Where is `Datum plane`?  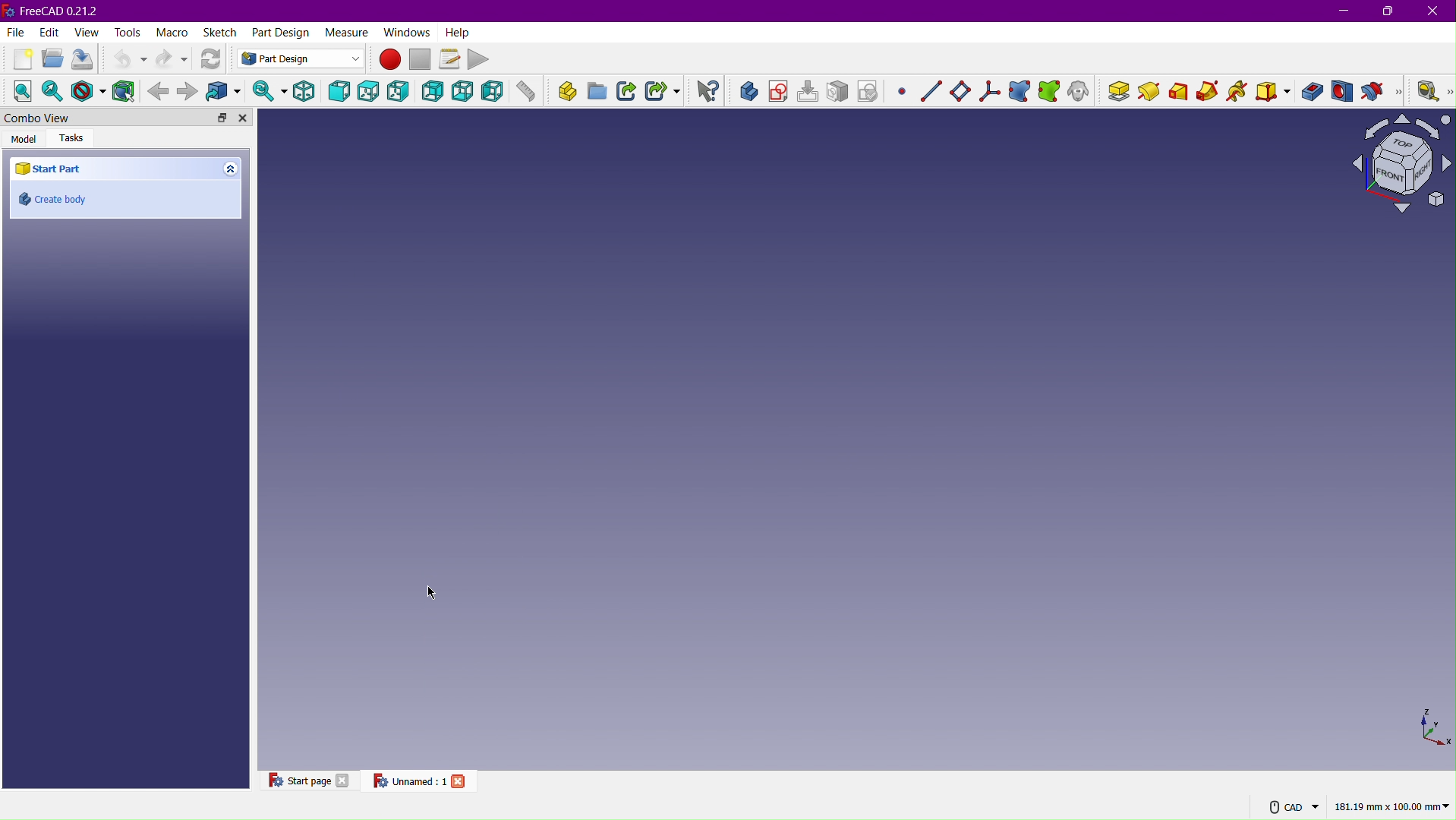
Datum plane is located at coordinates (963, 90).